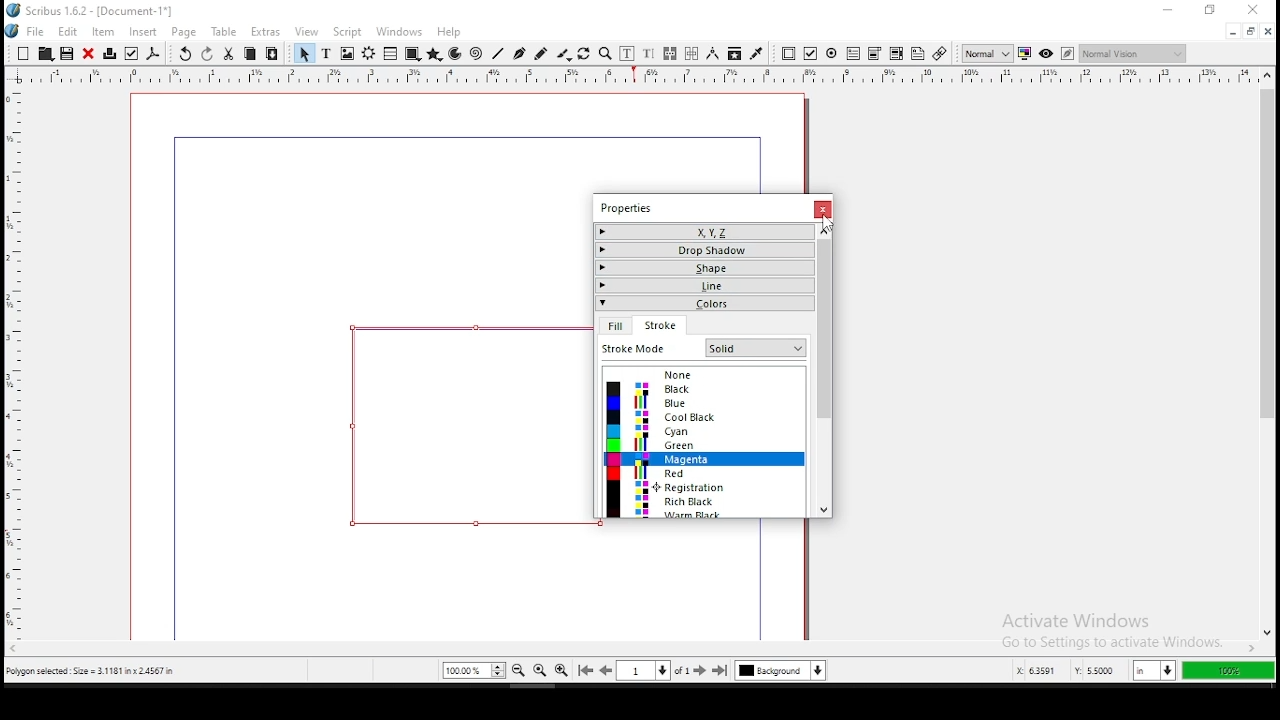  What do you see at coordinates (88, 54) in the screenshot?
I see `close` at bounding box center [88, 54].